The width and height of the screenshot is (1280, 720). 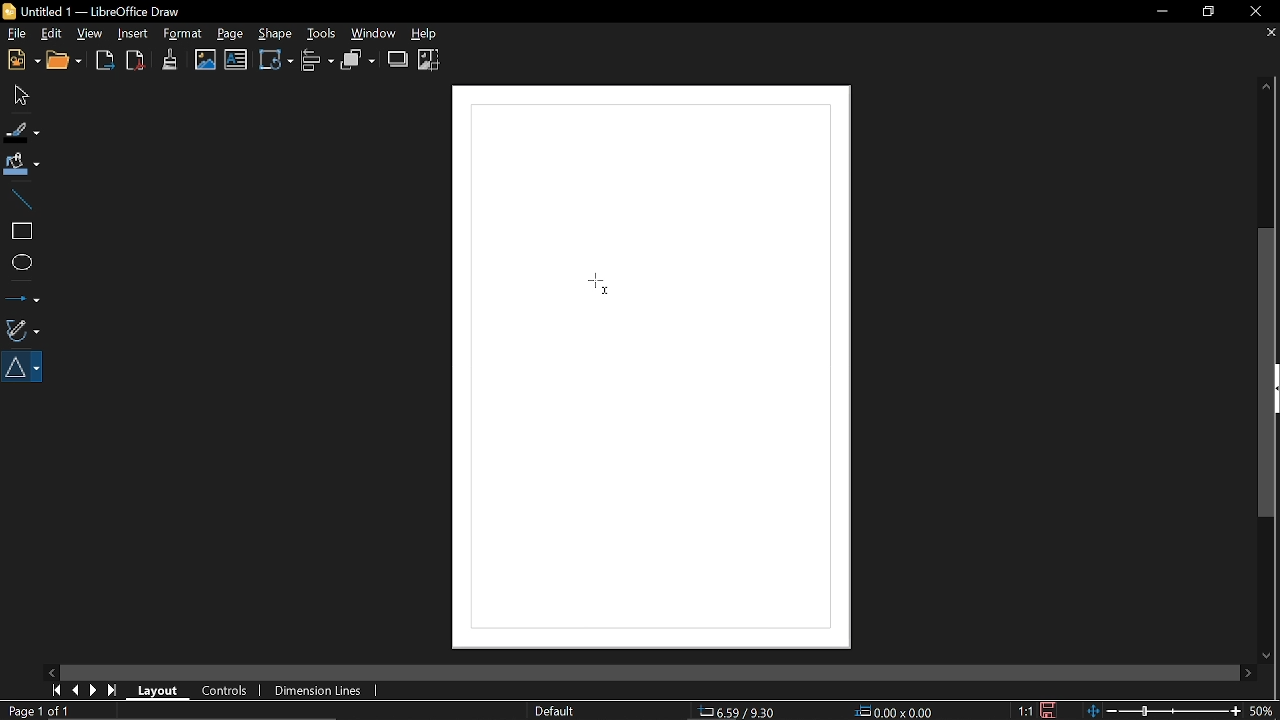 What do you see at coordinates (24, 367) in the screenshot?
I see `Basic shapes` at bounding box center [24, 367].